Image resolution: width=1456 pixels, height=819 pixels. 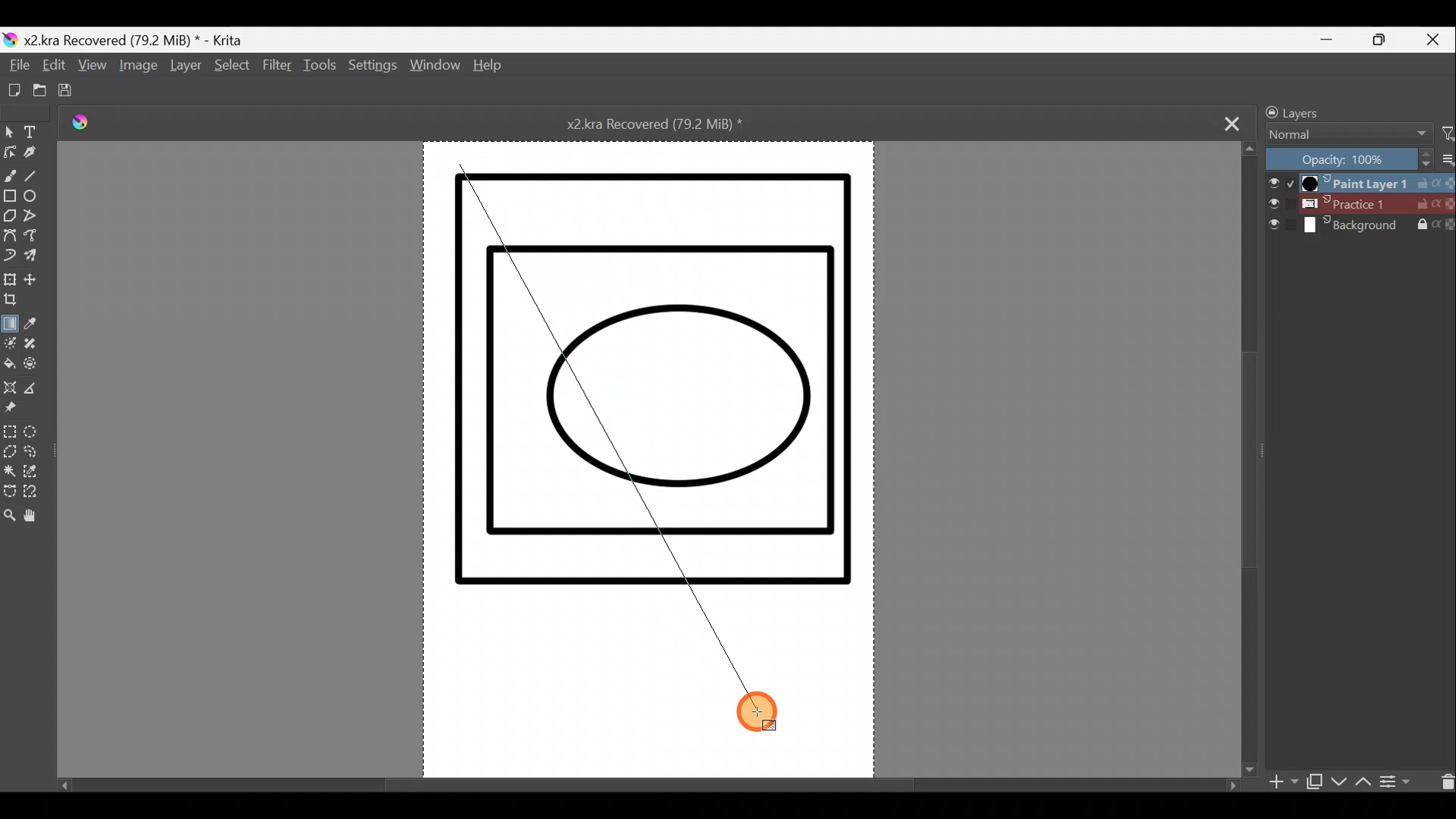 I want to click on Select, so click(x=230, y=66).